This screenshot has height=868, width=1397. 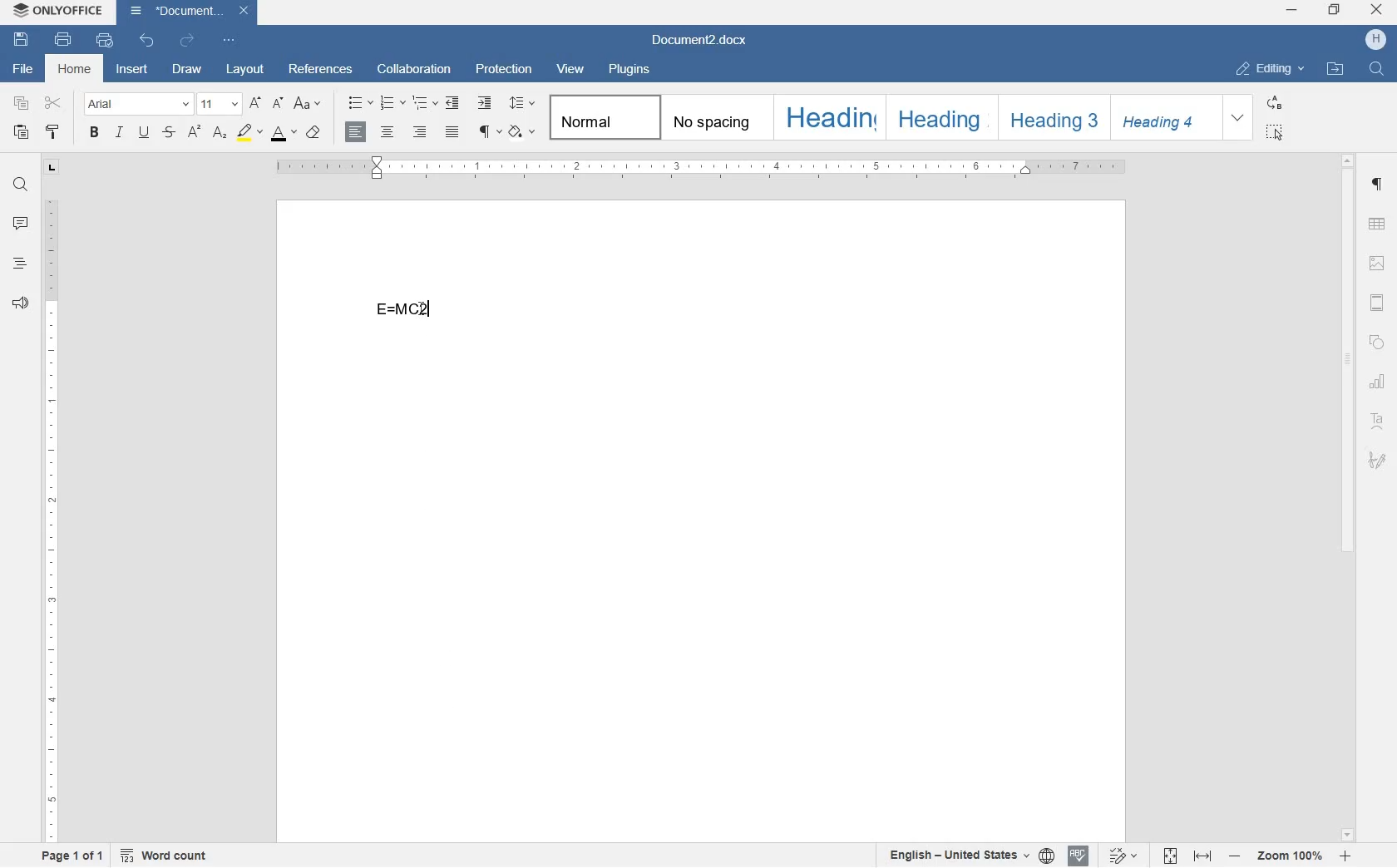 What do you see at coordinates (170, 133) in the screenshot?
I see `strikethrough` at bounding box center [170, 133].